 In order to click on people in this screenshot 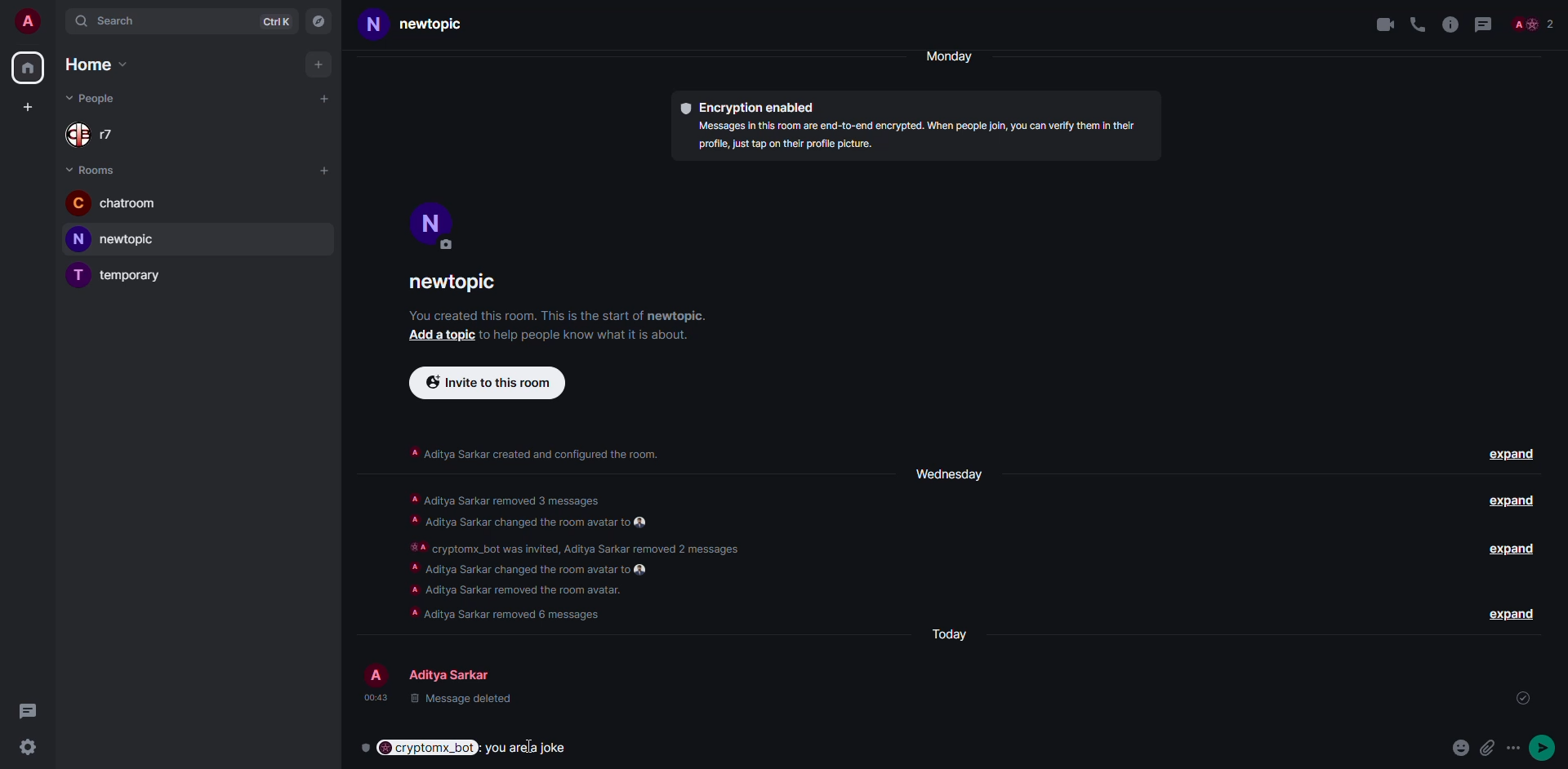, I will do `click(98, 134)`.